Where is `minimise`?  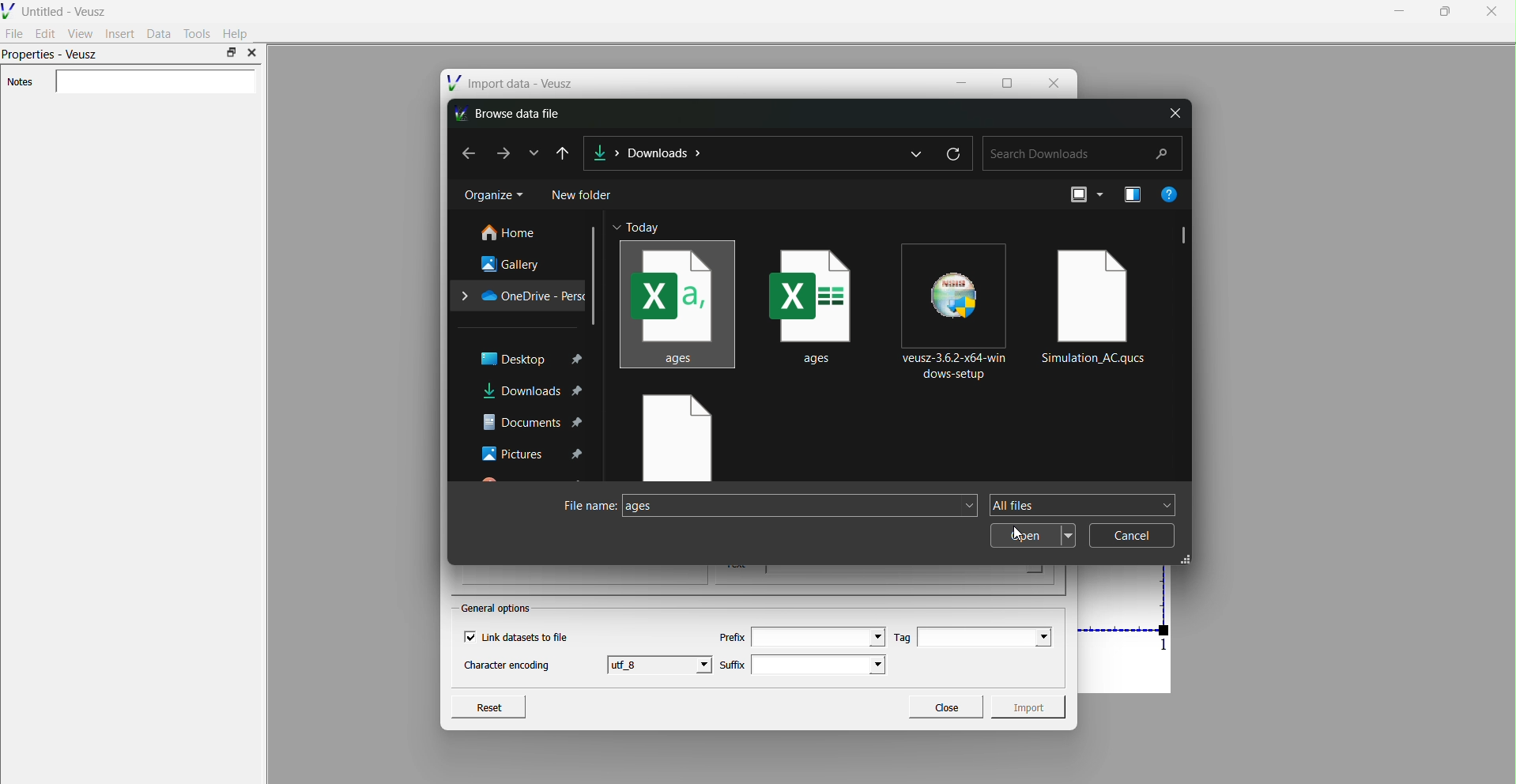
minimise is located at coordinates (964, 81).